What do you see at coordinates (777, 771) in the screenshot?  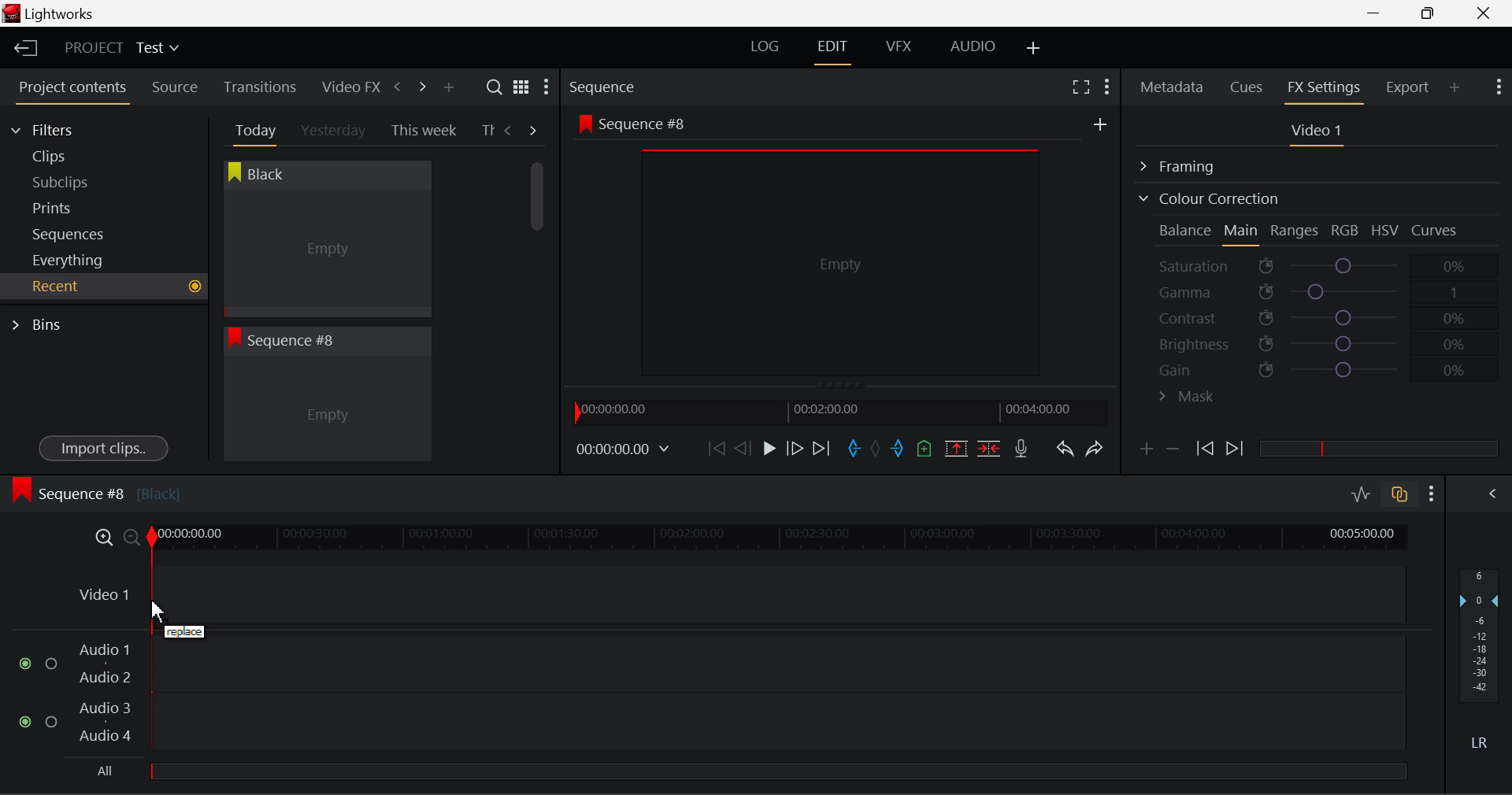 I see `slider` at bounding box center [777, 771].